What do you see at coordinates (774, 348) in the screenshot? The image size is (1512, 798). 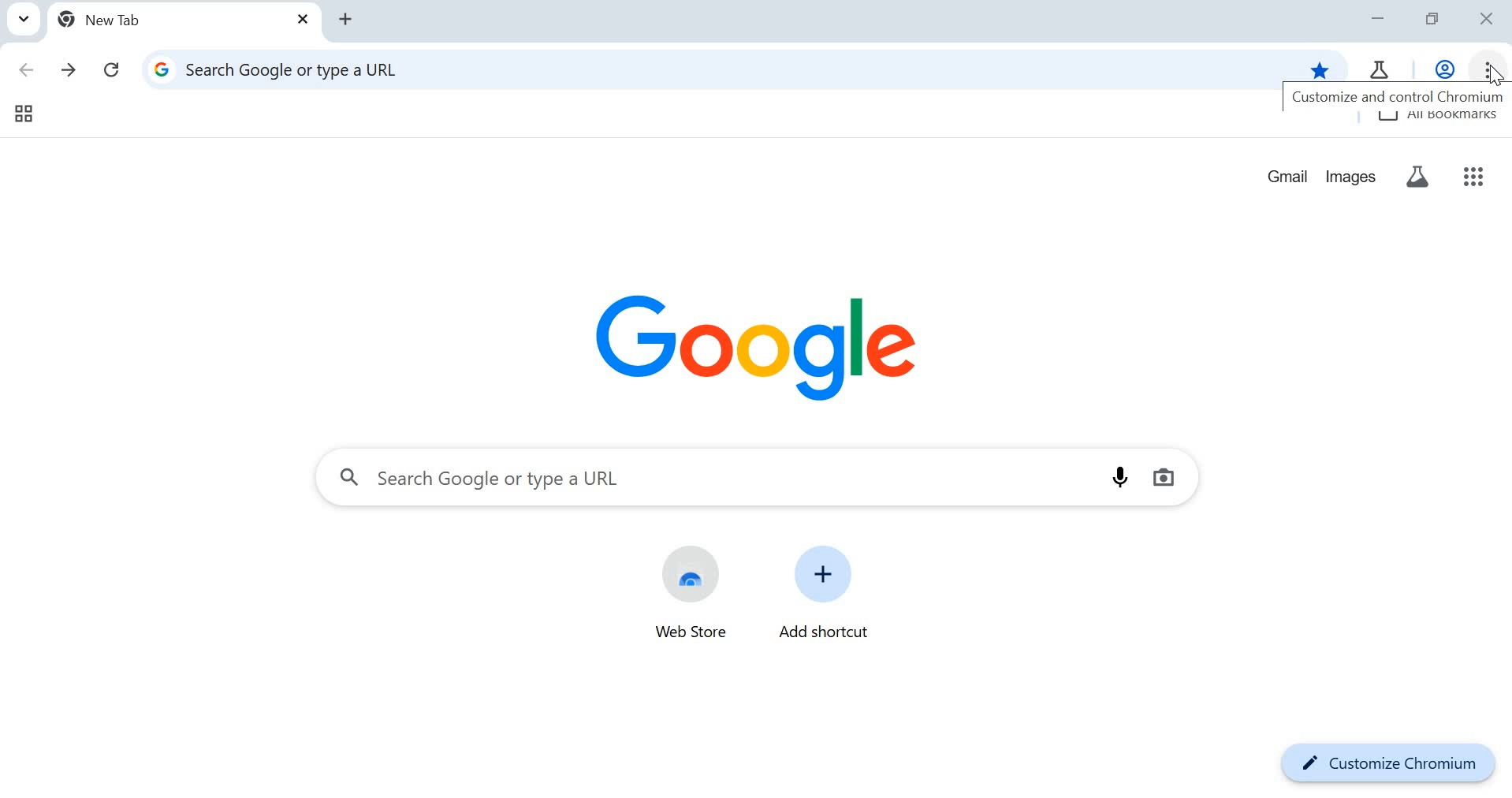 I see `Google Logo` at bounding box center [774, 348].